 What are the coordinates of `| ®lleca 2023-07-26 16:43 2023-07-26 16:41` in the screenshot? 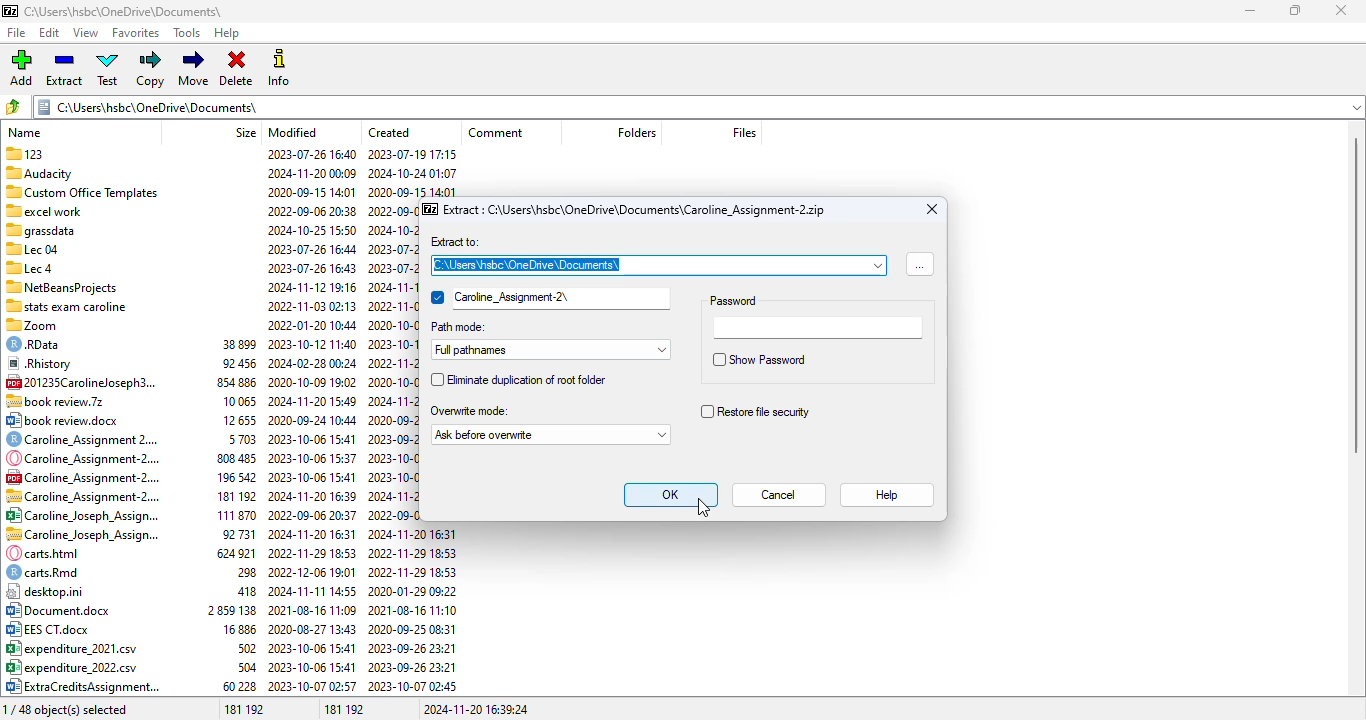 It's located at (211, 267).